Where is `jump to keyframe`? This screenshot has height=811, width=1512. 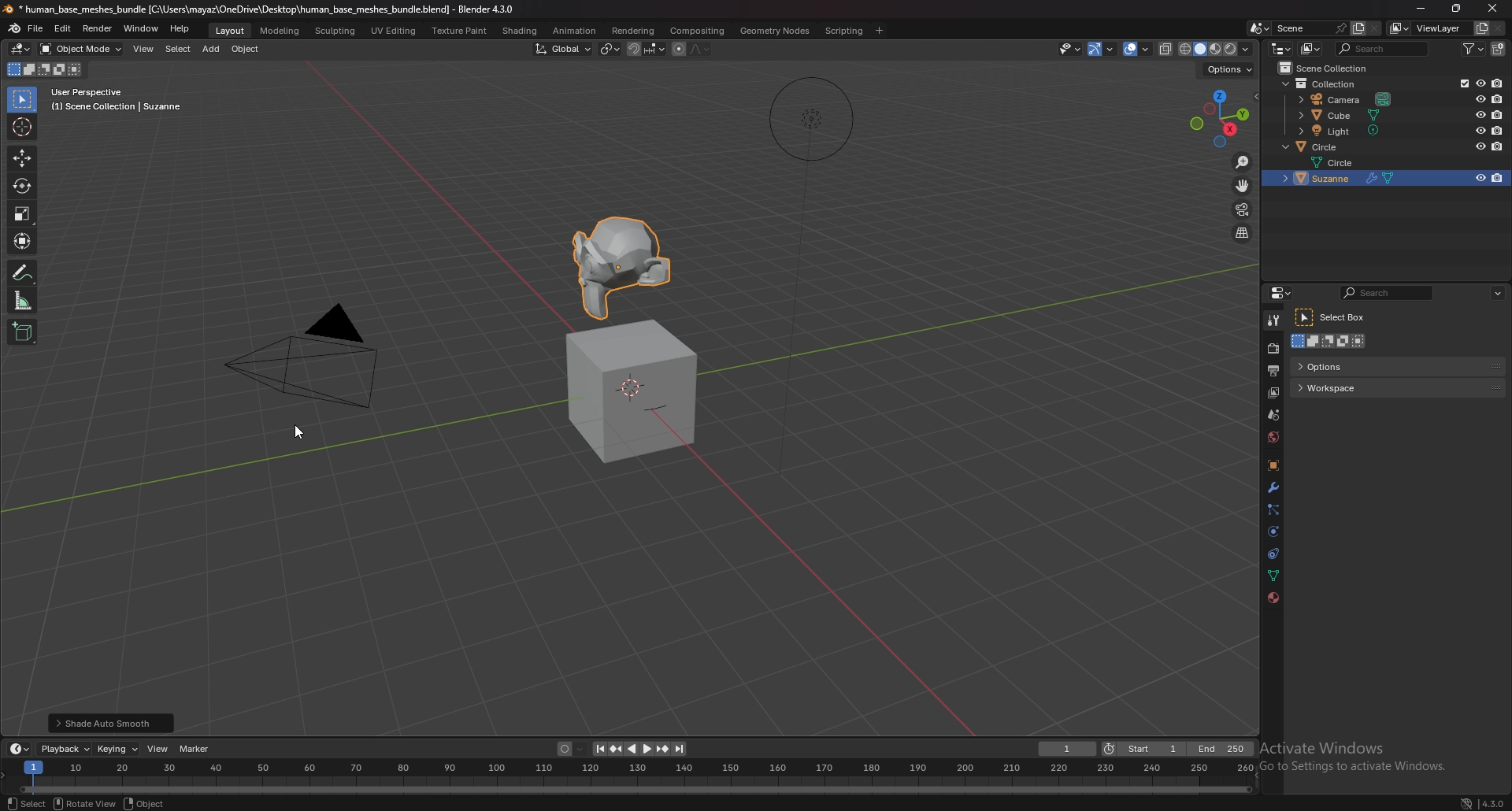 jump to keyframe is located at coordinates (617, 749).